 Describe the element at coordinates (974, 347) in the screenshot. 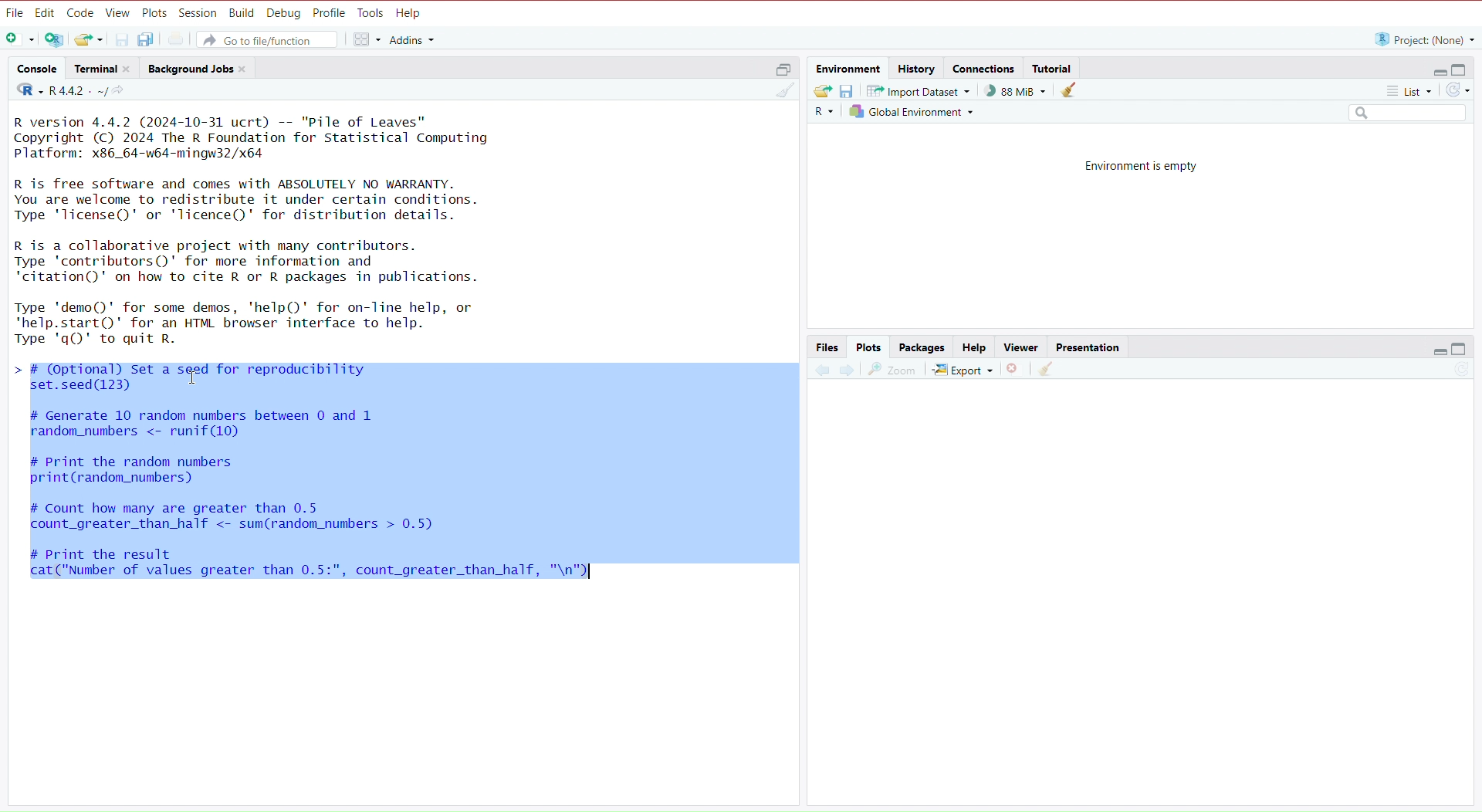

I see `Help` at that location.